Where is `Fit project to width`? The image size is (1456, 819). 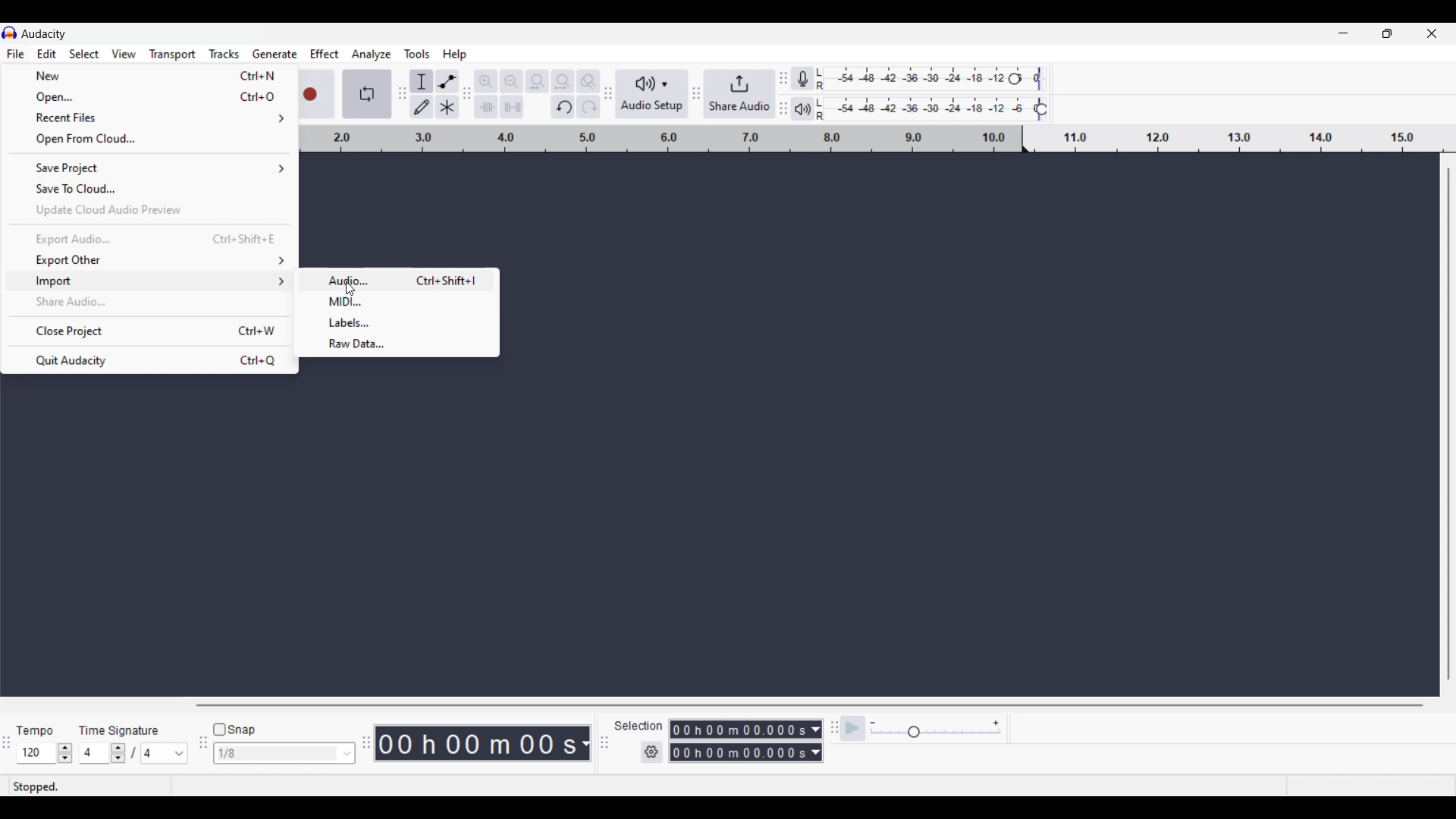
Fit project to width is located at coordinates (563, 82).